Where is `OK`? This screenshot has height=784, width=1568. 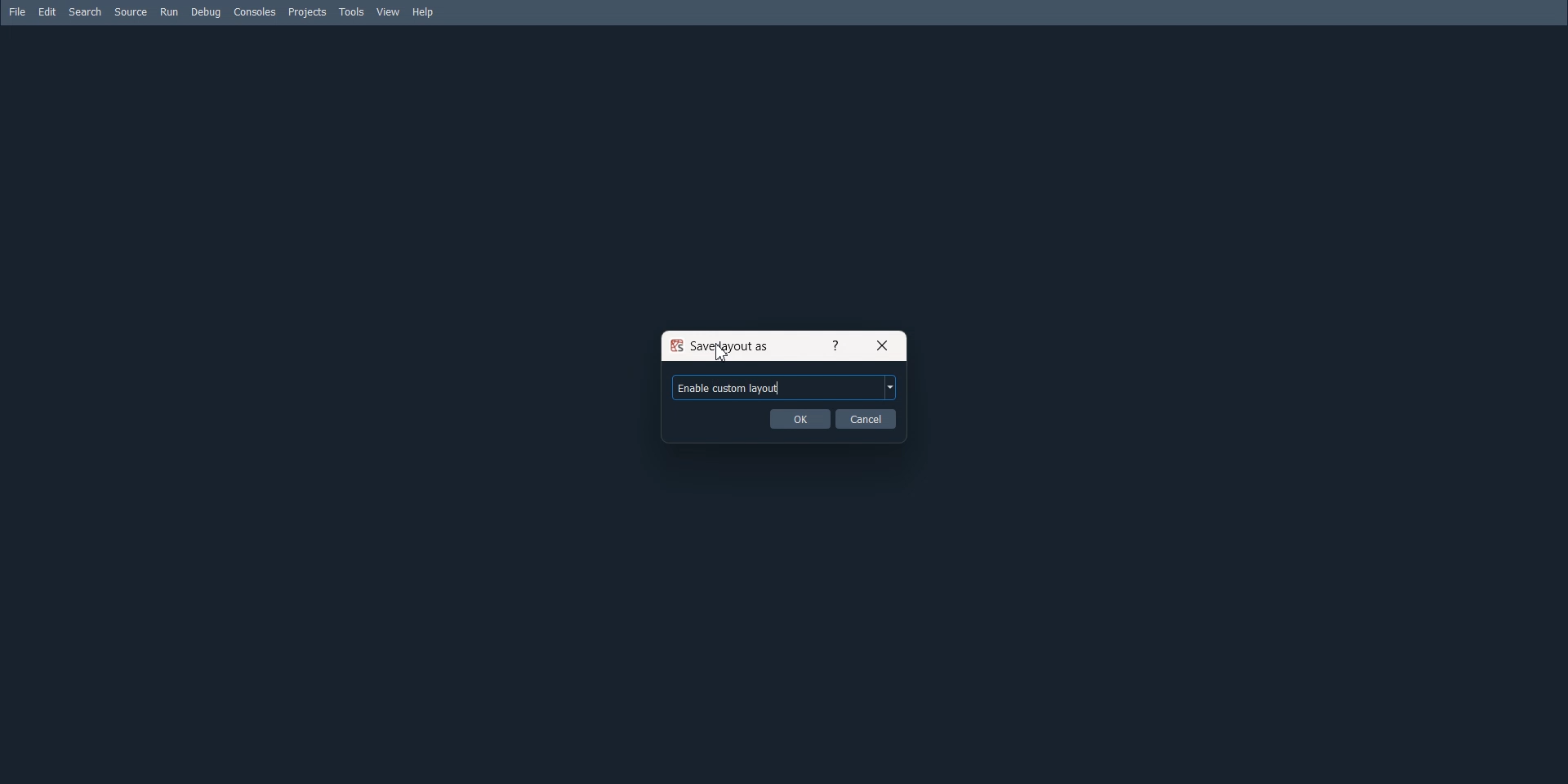 OK is located at coordinates (799, 418).